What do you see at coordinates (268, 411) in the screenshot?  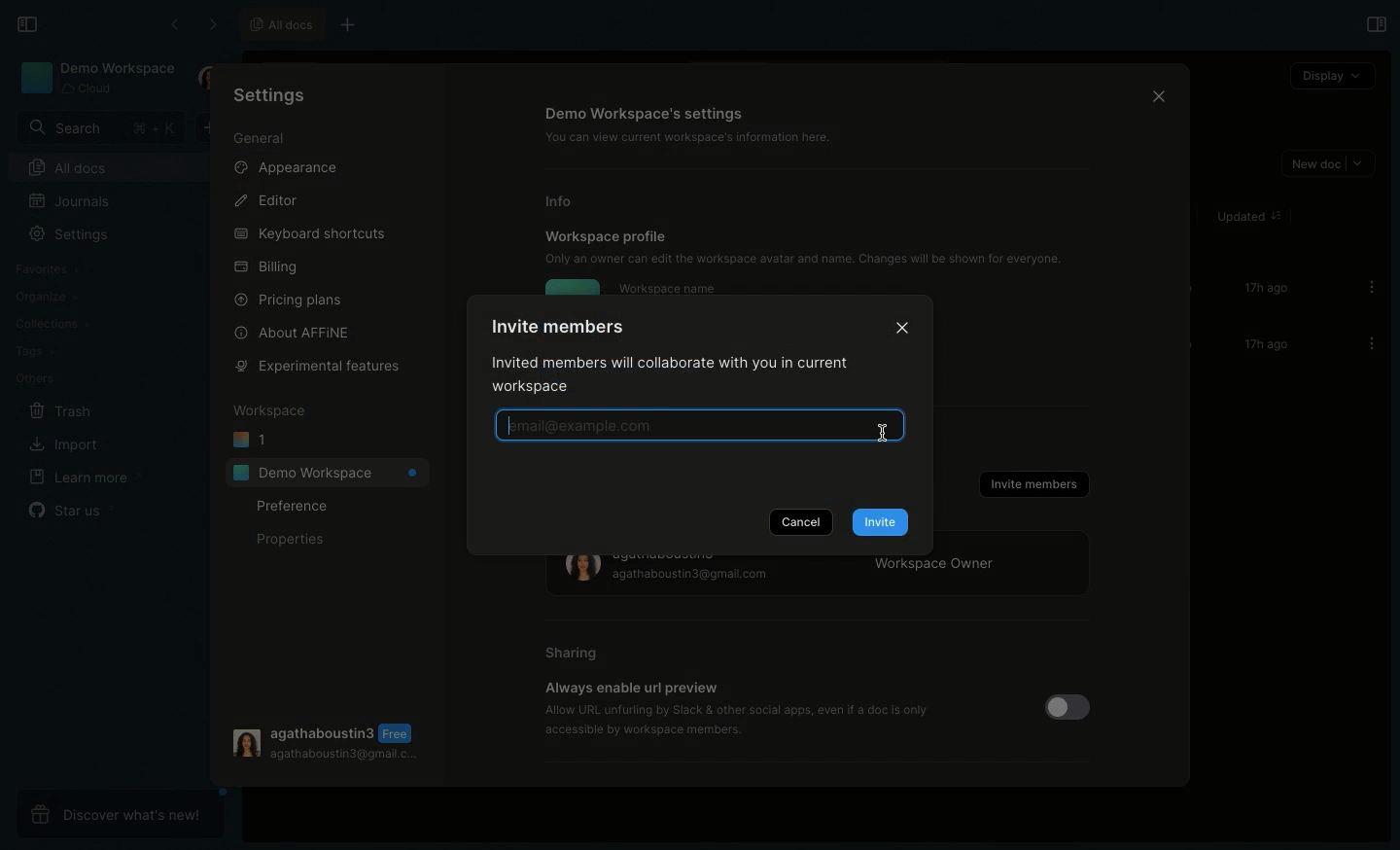 I see `Workspace` at bounding box center [268, 411].